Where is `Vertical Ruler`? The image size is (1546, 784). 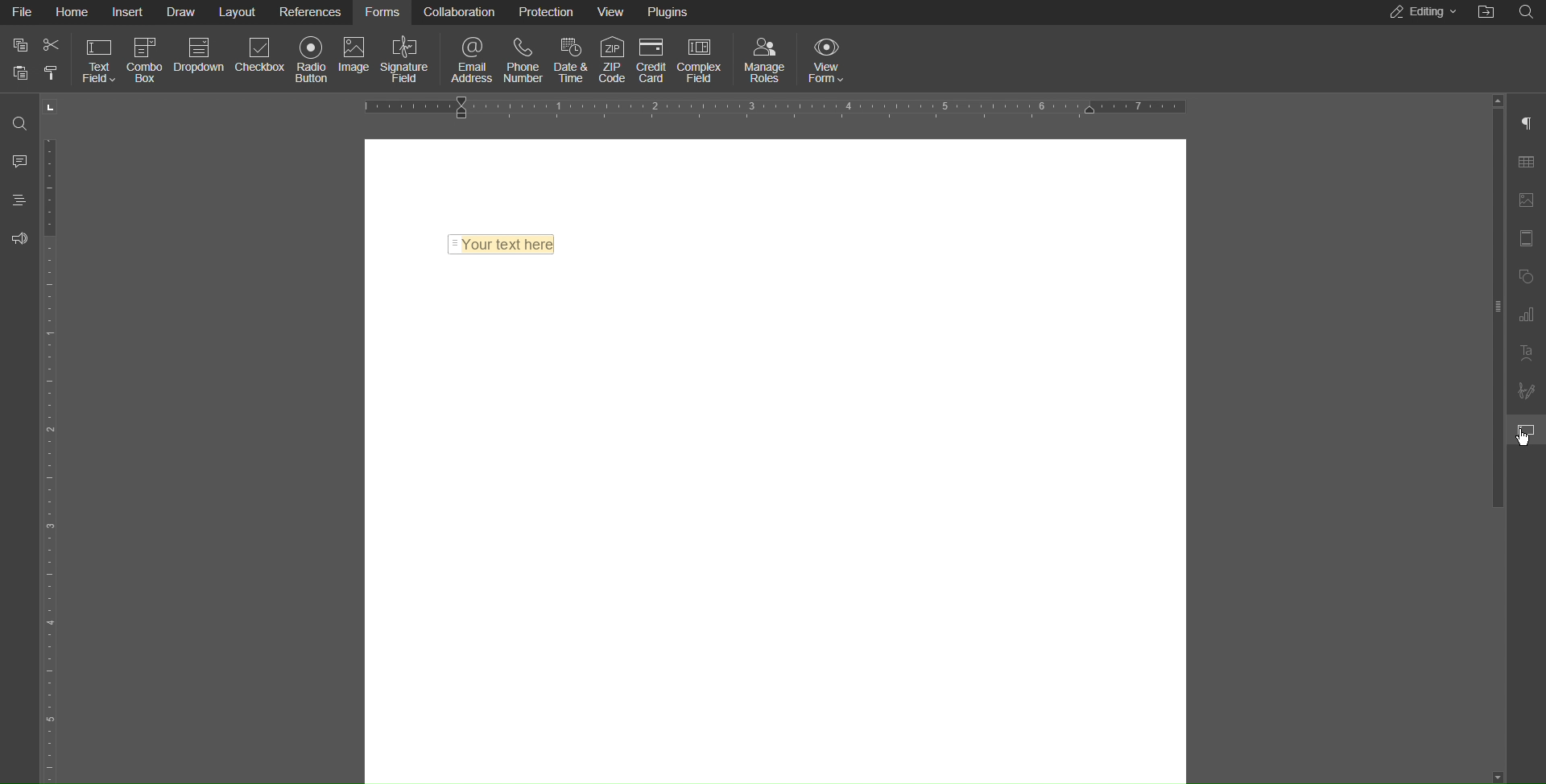
Vertical Ruler is located at coordinates (52, 457).